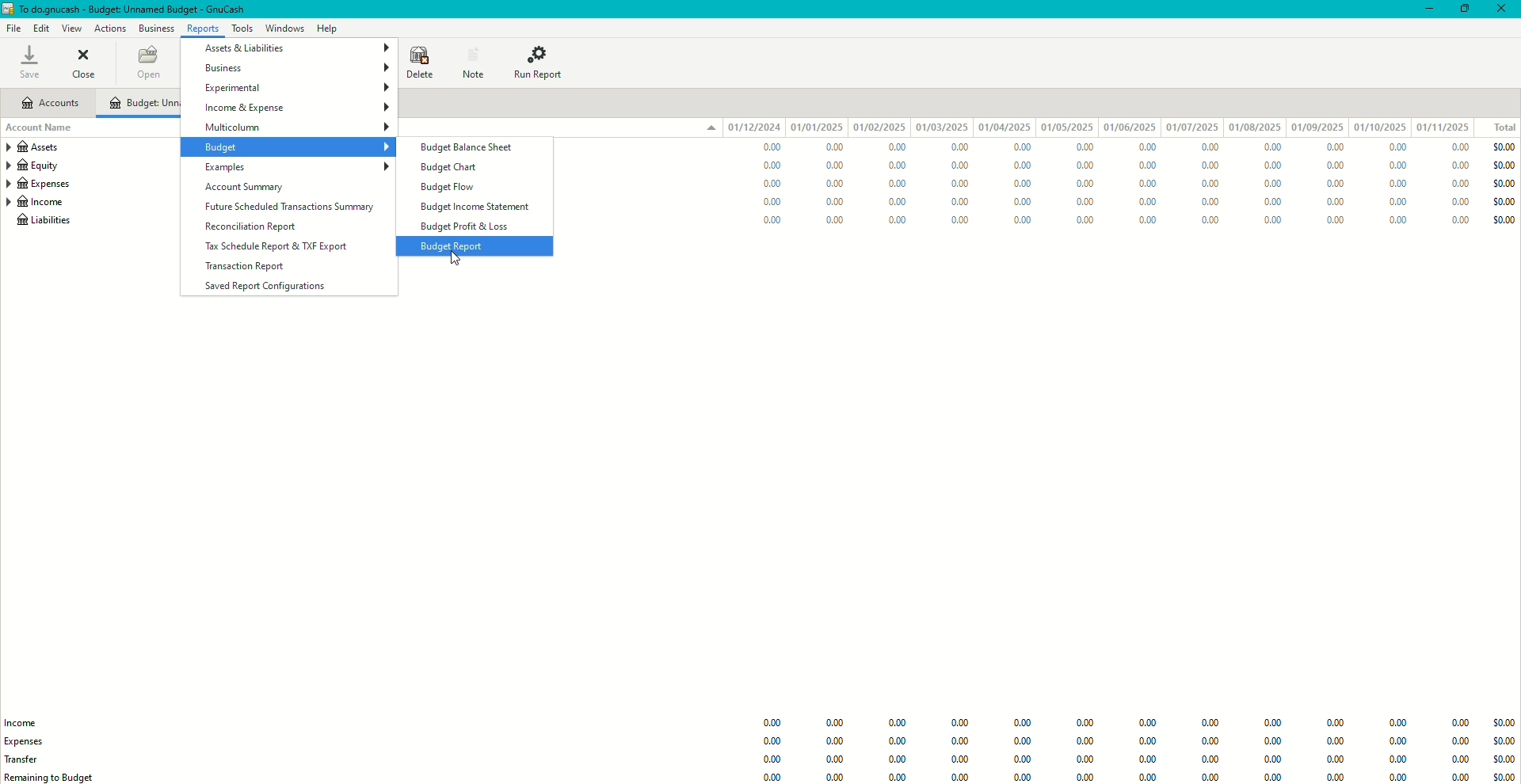  What do you see at coordinates (960, 760) in the screenshot?
I see `0.00` at bounding box center [960, 760].